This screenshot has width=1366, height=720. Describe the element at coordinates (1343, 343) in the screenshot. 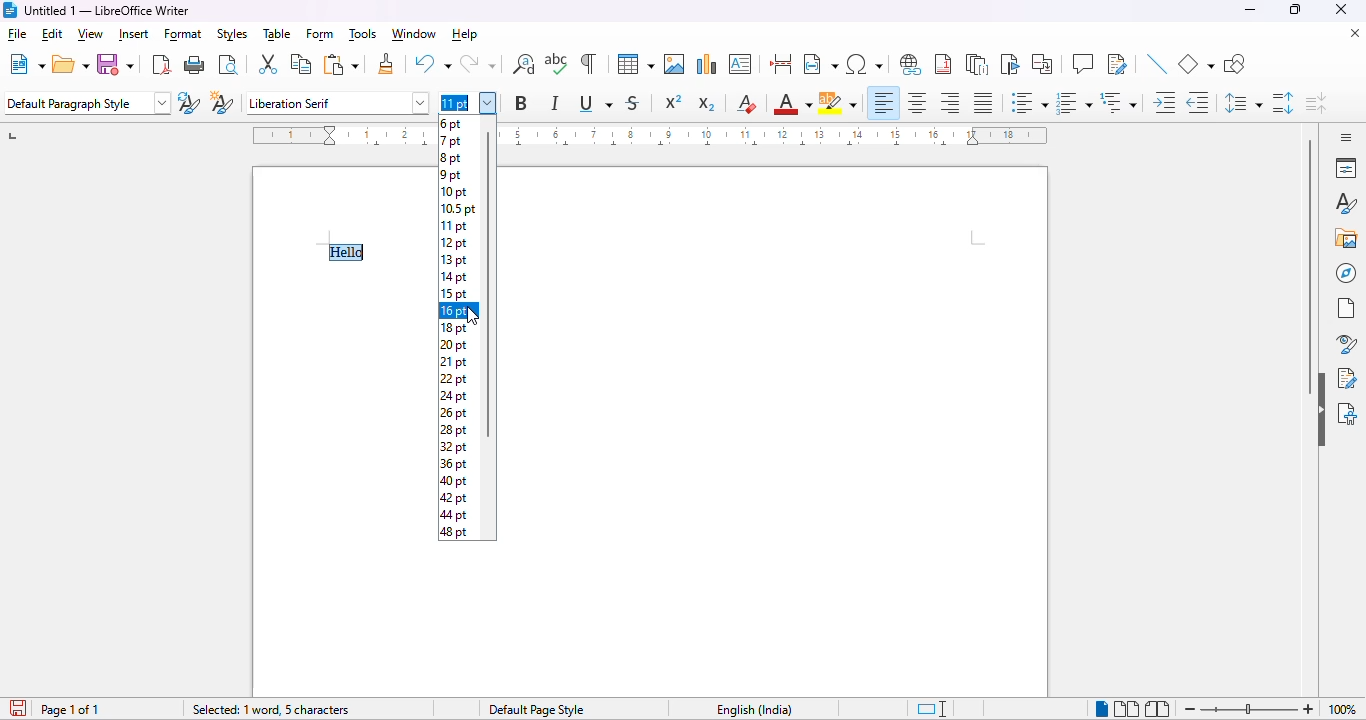

I see `style inspector` at that location.